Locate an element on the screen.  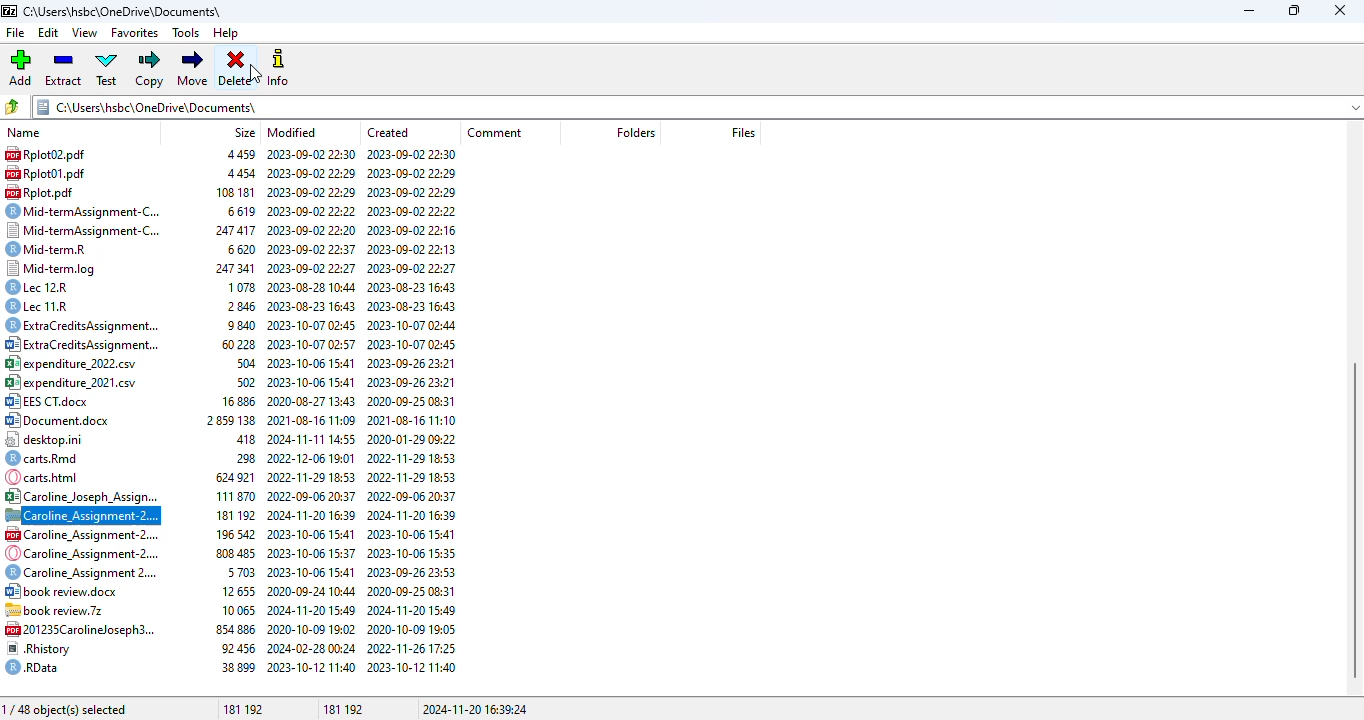
created is located at coordinates (389, 132).